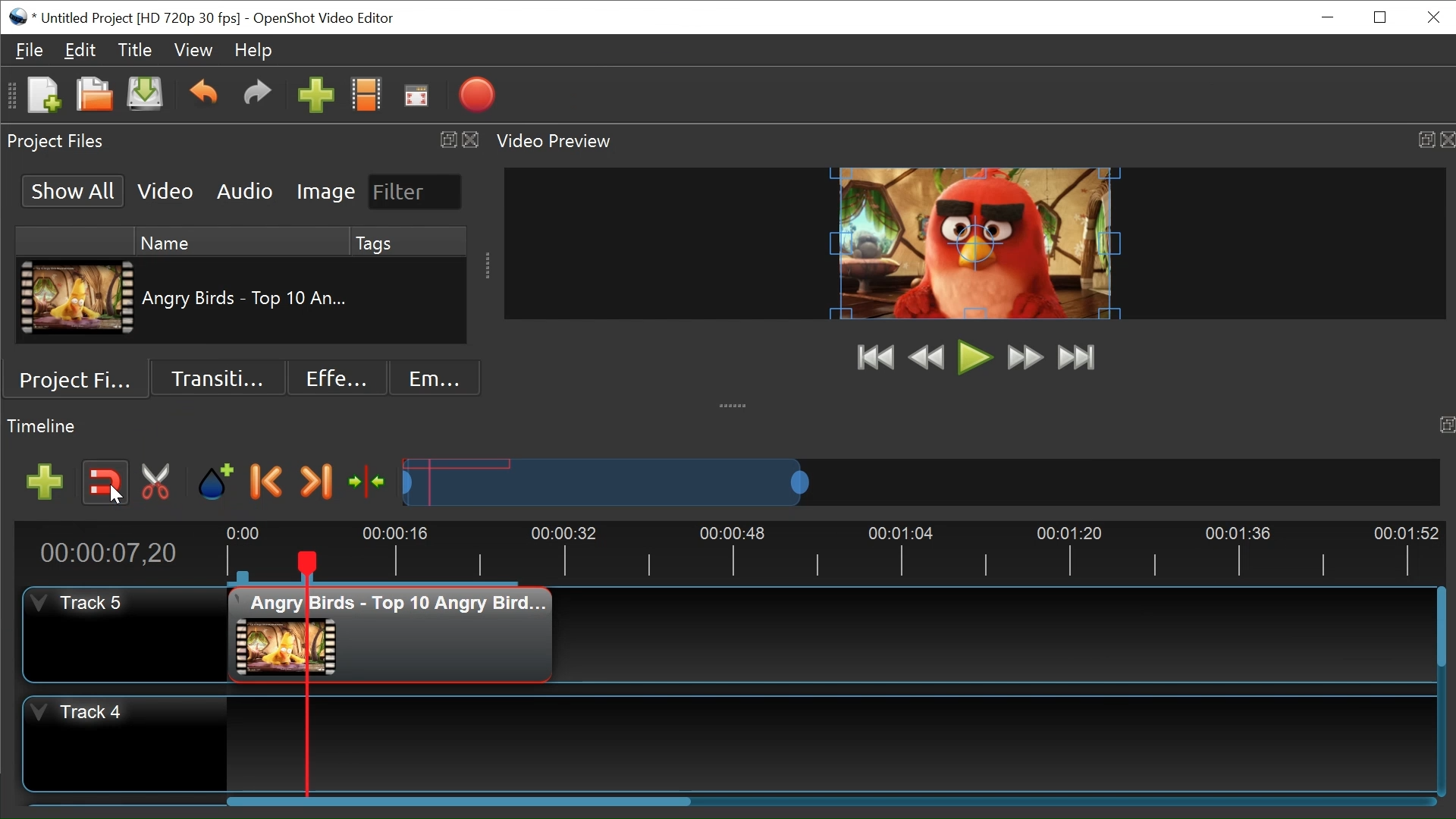 This screenshot has width=1456, height=819. Describe the element at coordinates (30, 49) in the screenshot. I see `File` at that location.